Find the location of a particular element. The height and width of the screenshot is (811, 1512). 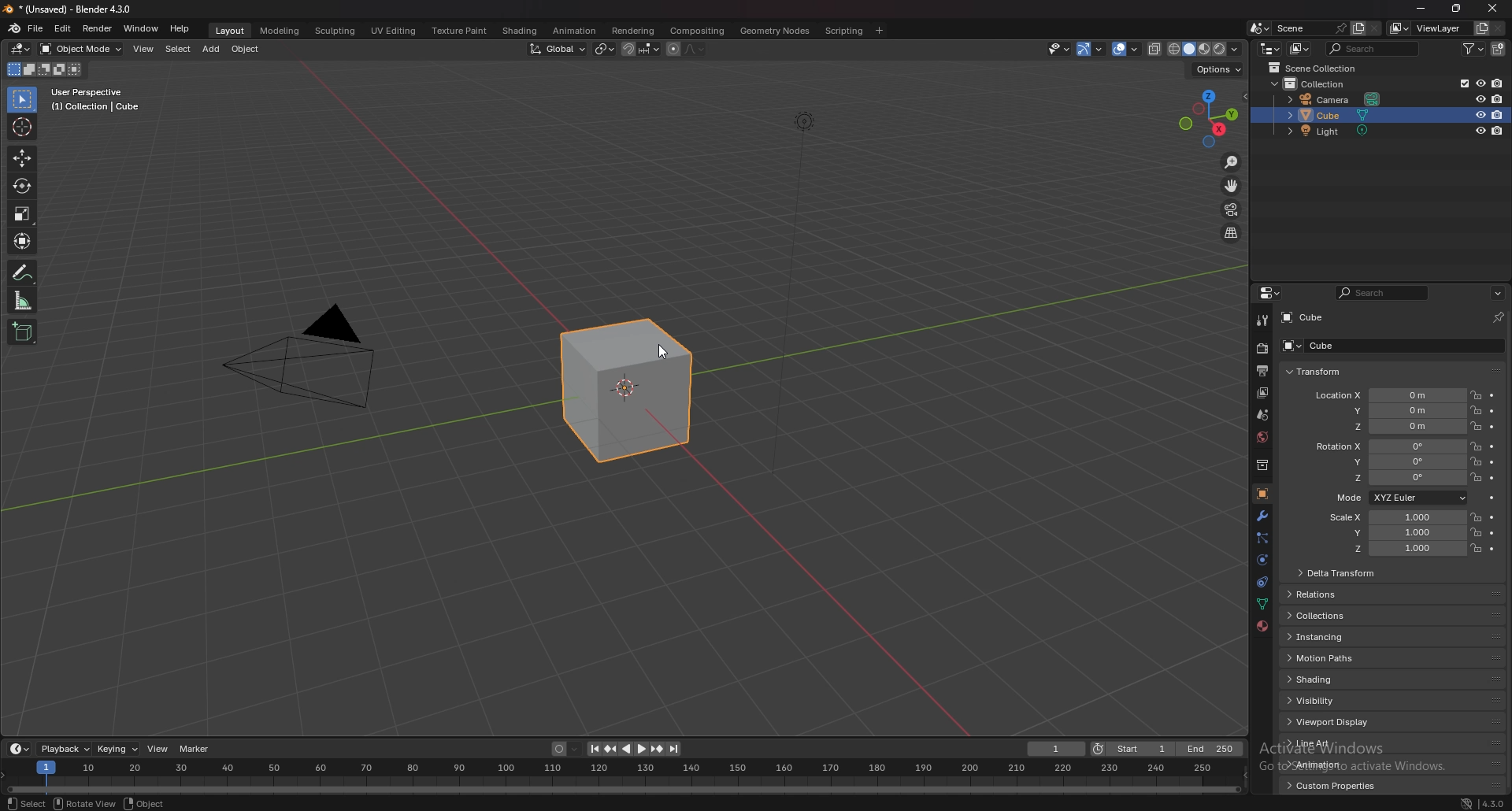

animate property is located at coordinates (1492, 517).